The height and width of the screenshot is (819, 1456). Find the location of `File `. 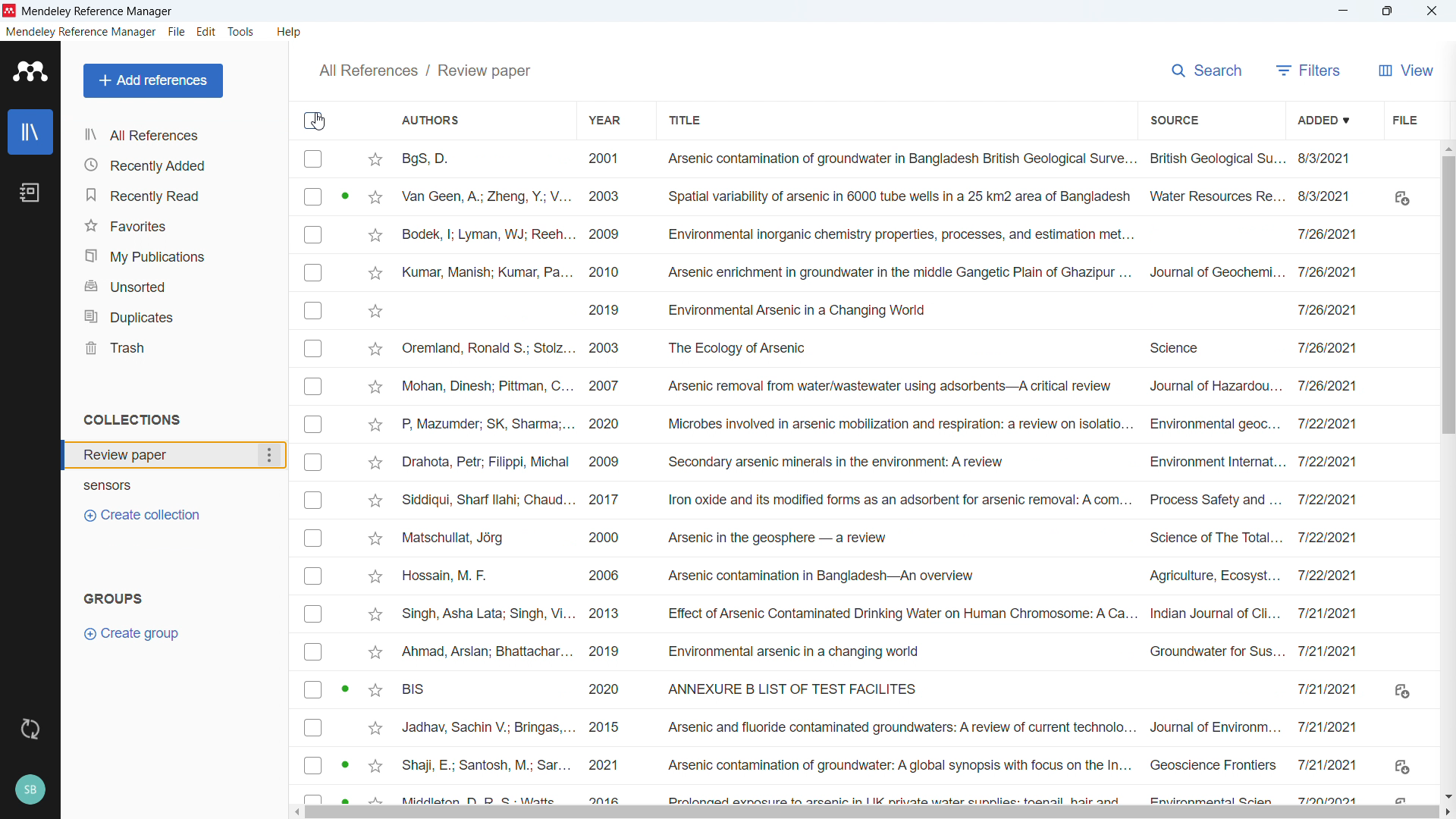

File  is located at coordinates (177, 31).